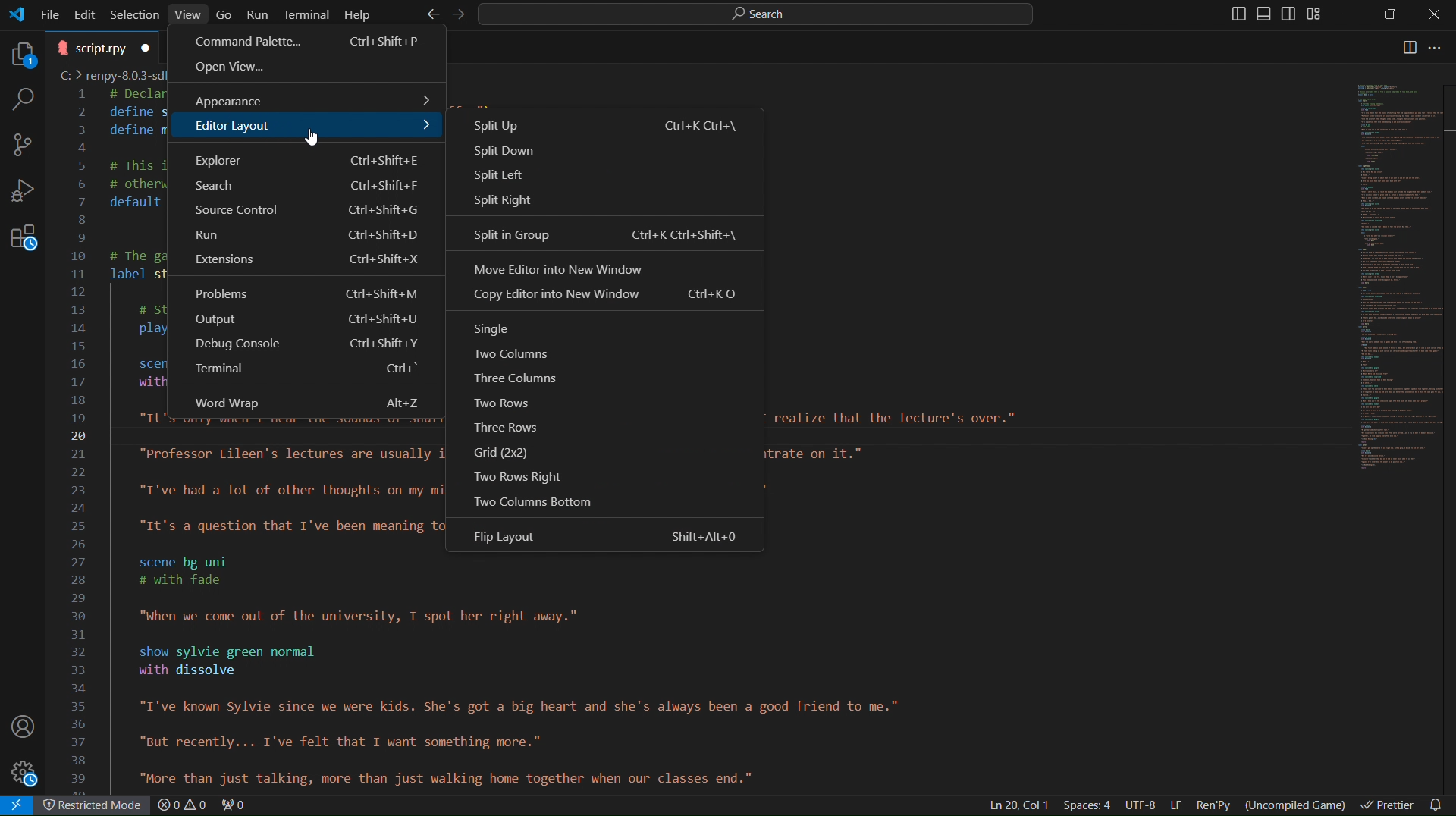  Describe the element at coordinates (303, 237) in the screenshot. I see `Run   ctrl+shift+D` at that location.